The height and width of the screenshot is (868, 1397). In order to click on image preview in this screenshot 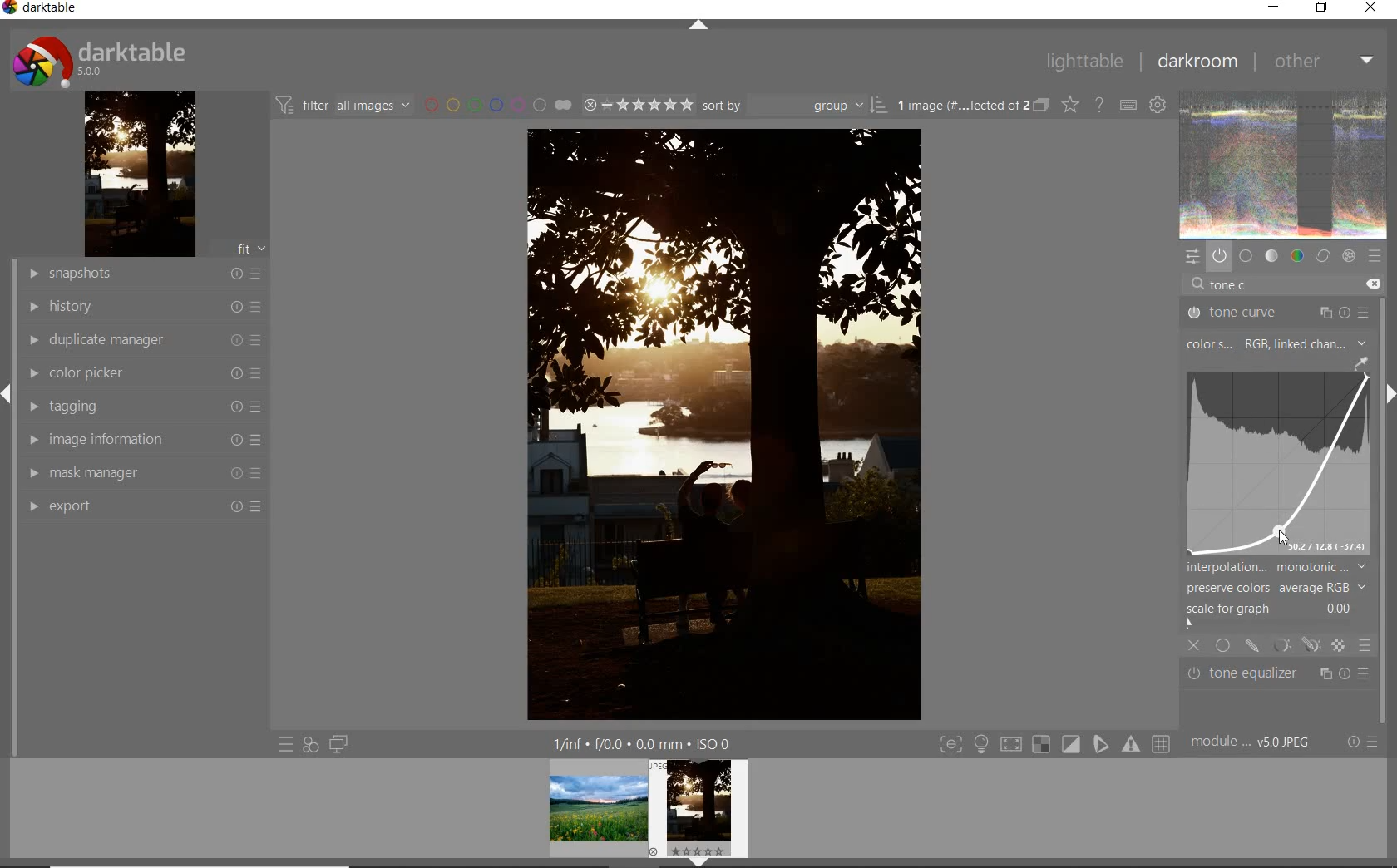, I will do `click(647, 806)`.